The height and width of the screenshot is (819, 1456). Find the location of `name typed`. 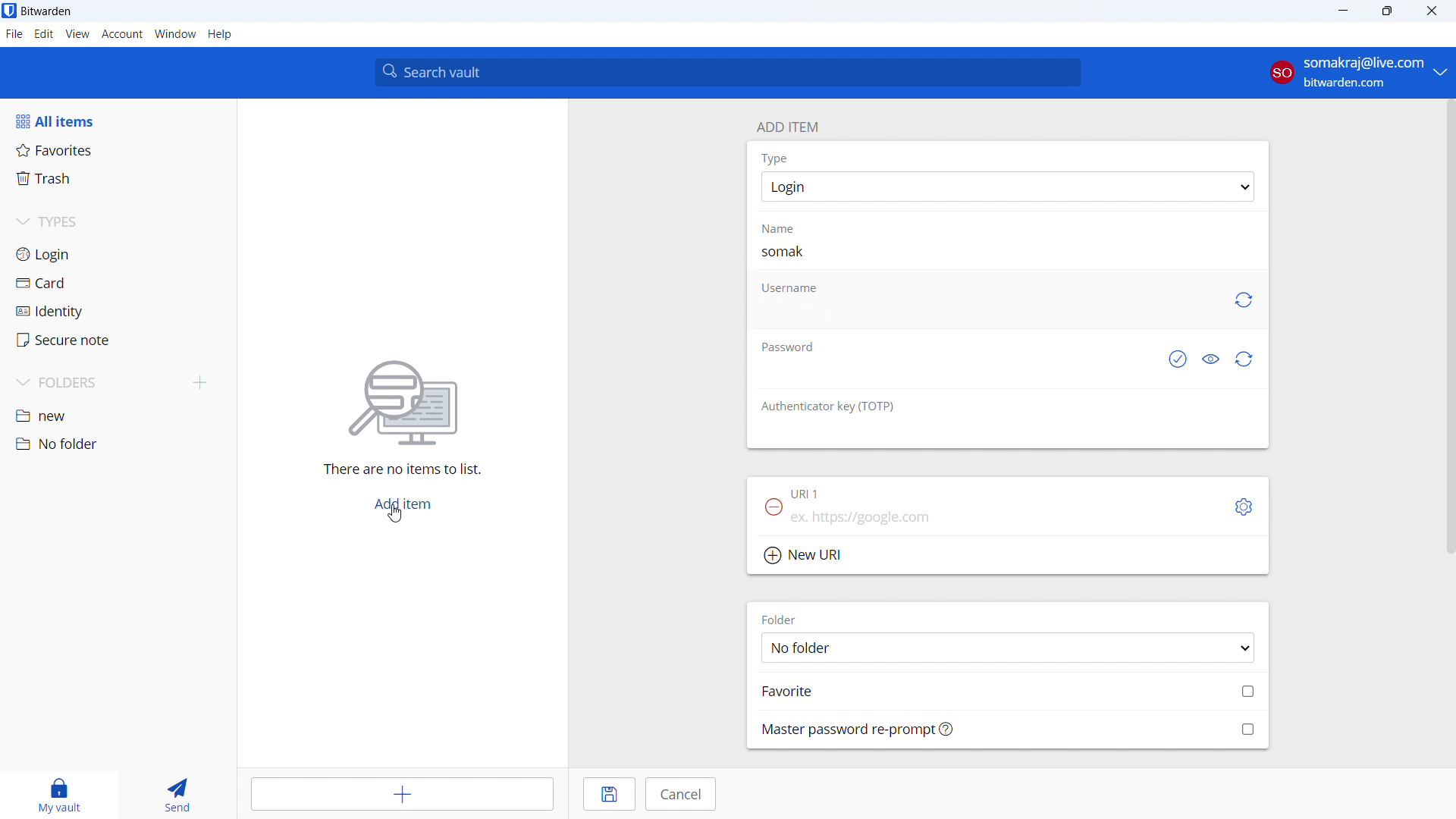

name typed is located at coordinates (784, 251).